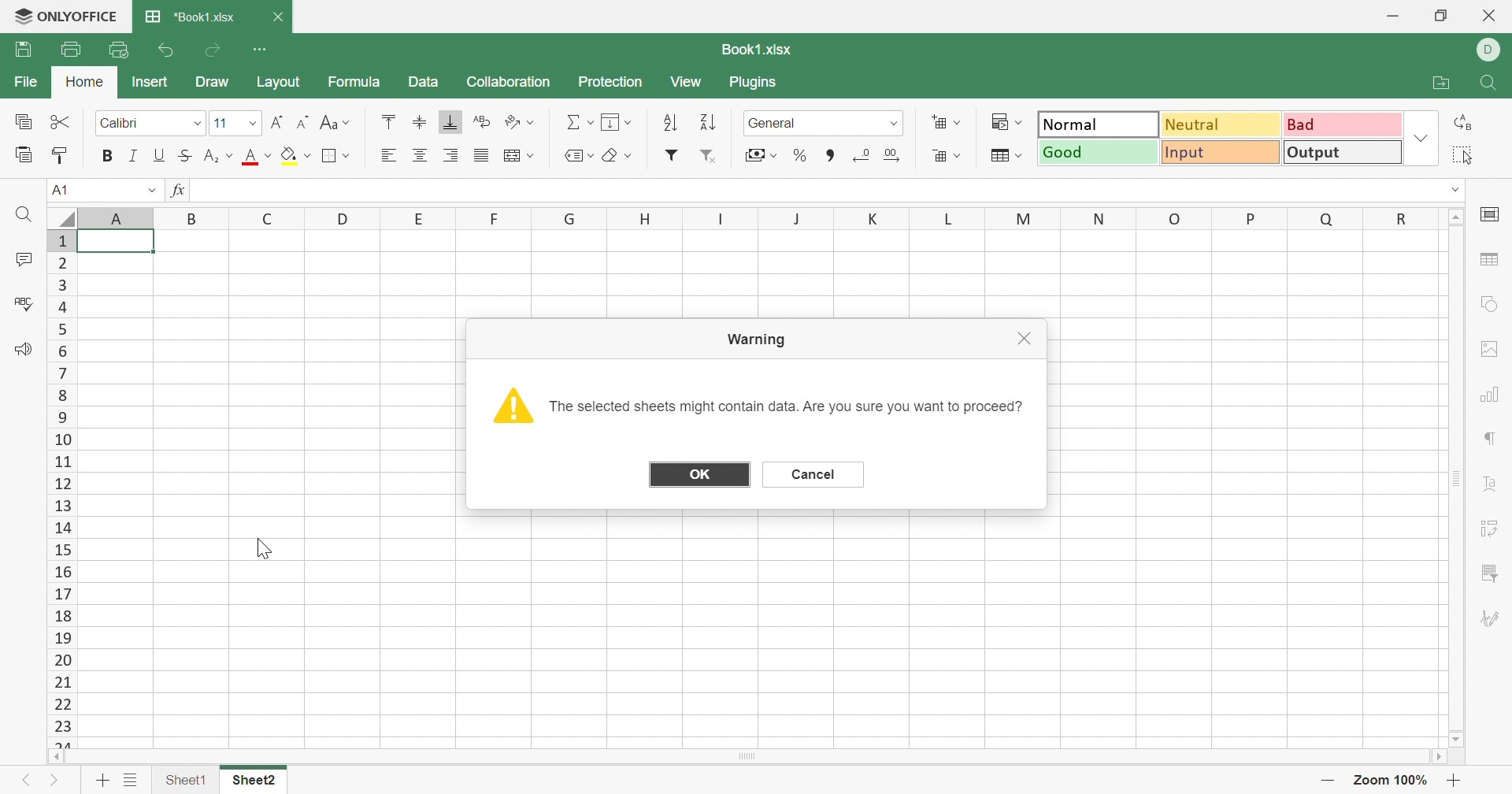 The image size is (1512, 794). What do you see at coordinates (746, 217) in the screenshot?
I see `Column letters` at bounding box center [746, 217].